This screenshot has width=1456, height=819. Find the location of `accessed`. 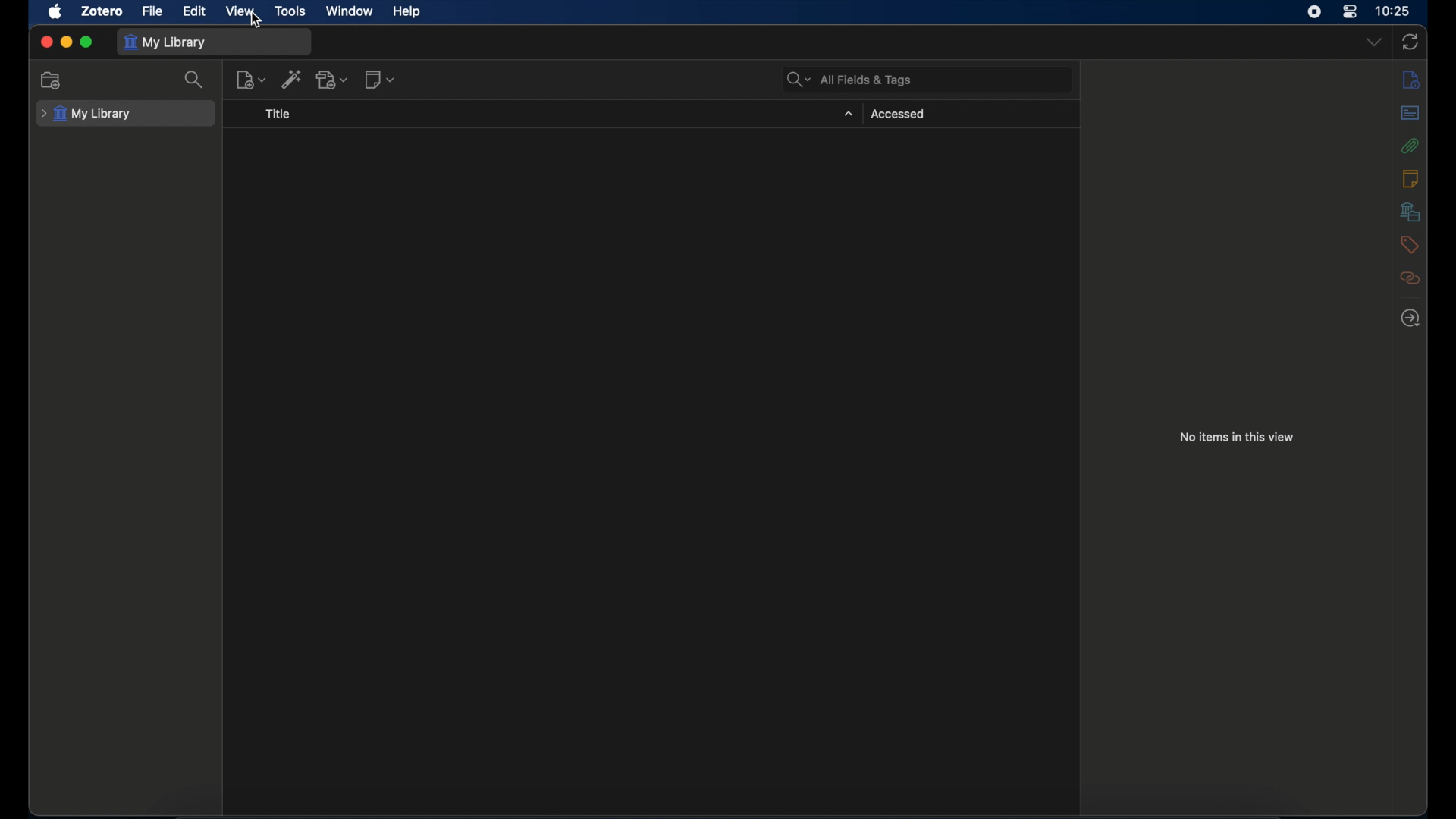

accessed is located at coordinates (898, 115).